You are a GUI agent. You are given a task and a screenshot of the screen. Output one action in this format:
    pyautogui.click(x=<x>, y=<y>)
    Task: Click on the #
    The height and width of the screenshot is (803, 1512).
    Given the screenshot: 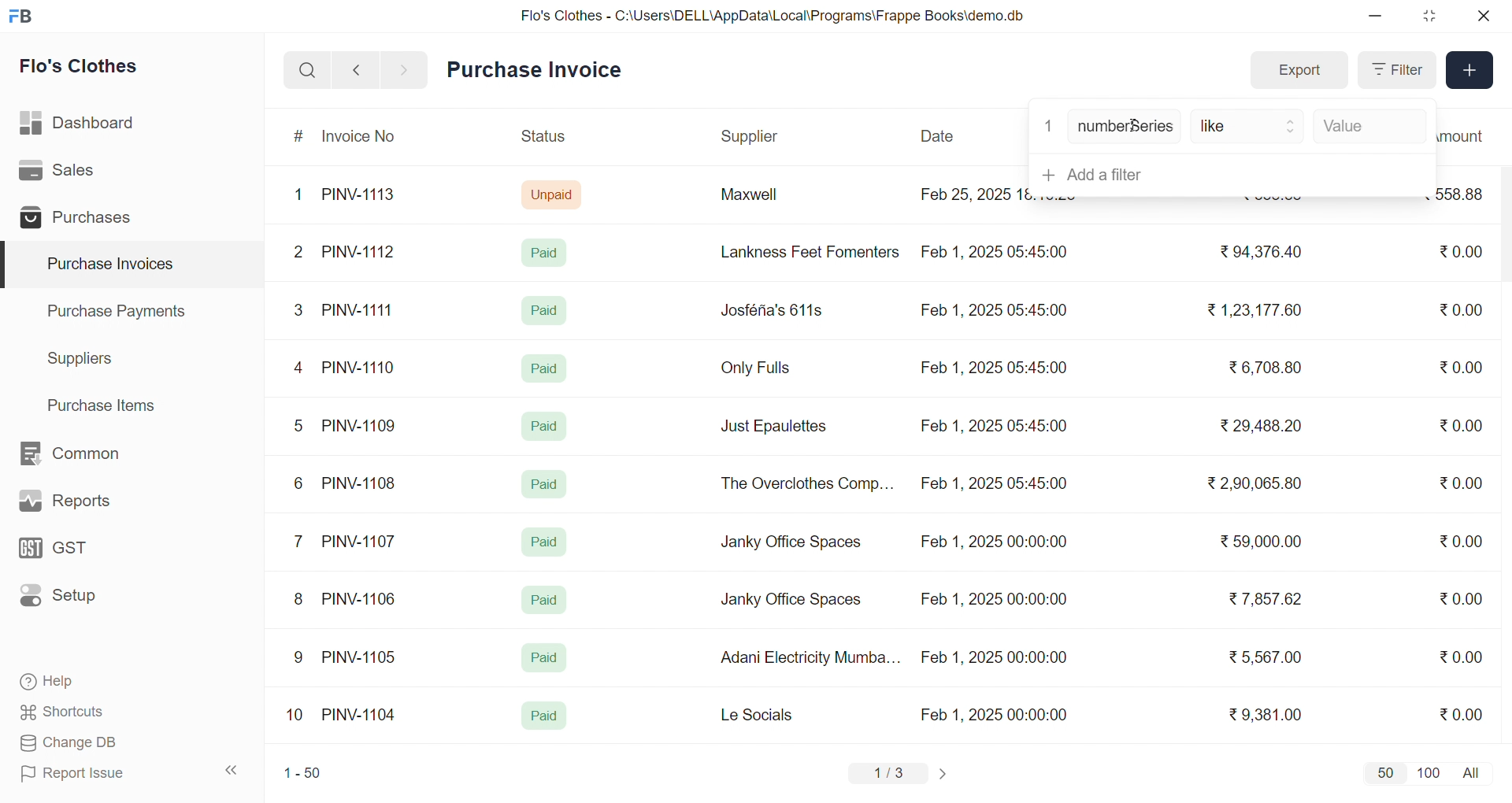 What is the action you would take?
    pyautogui.click(x=299, y=138)
    